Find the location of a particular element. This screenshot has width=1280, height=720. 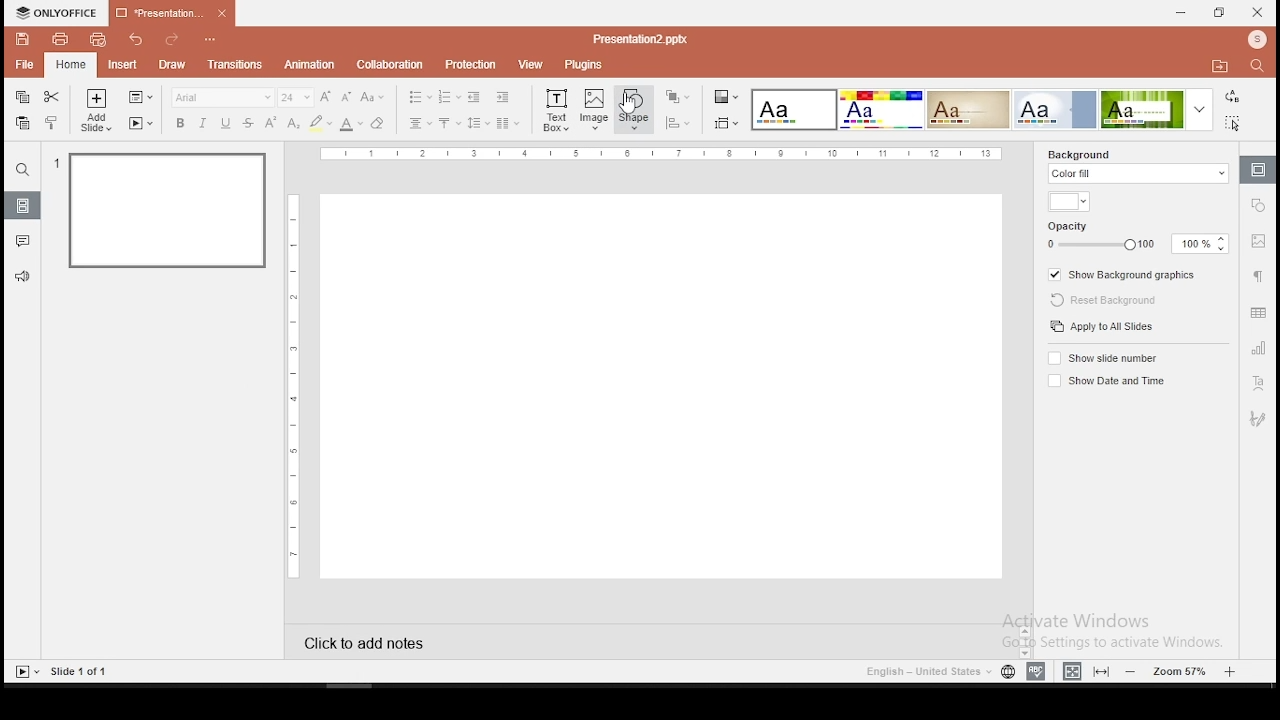

cut is located at coordinates (51, 97).